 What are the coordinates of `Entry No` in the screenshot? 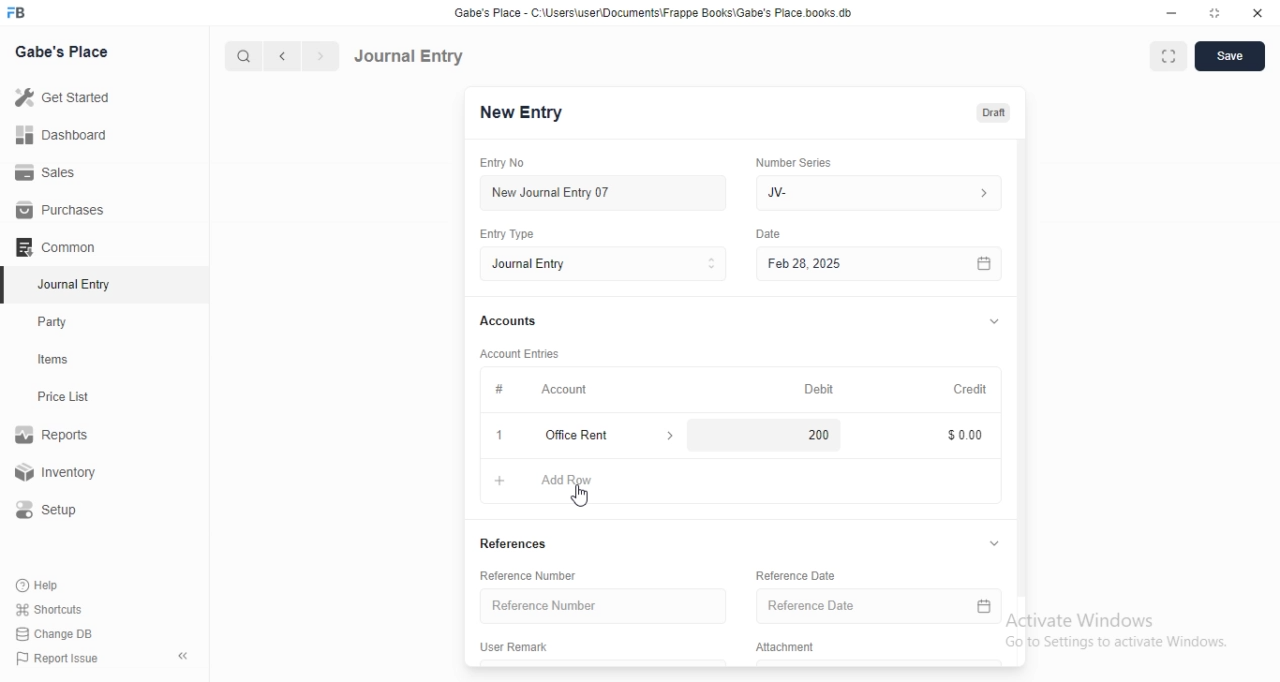 It's located at (506, 163).